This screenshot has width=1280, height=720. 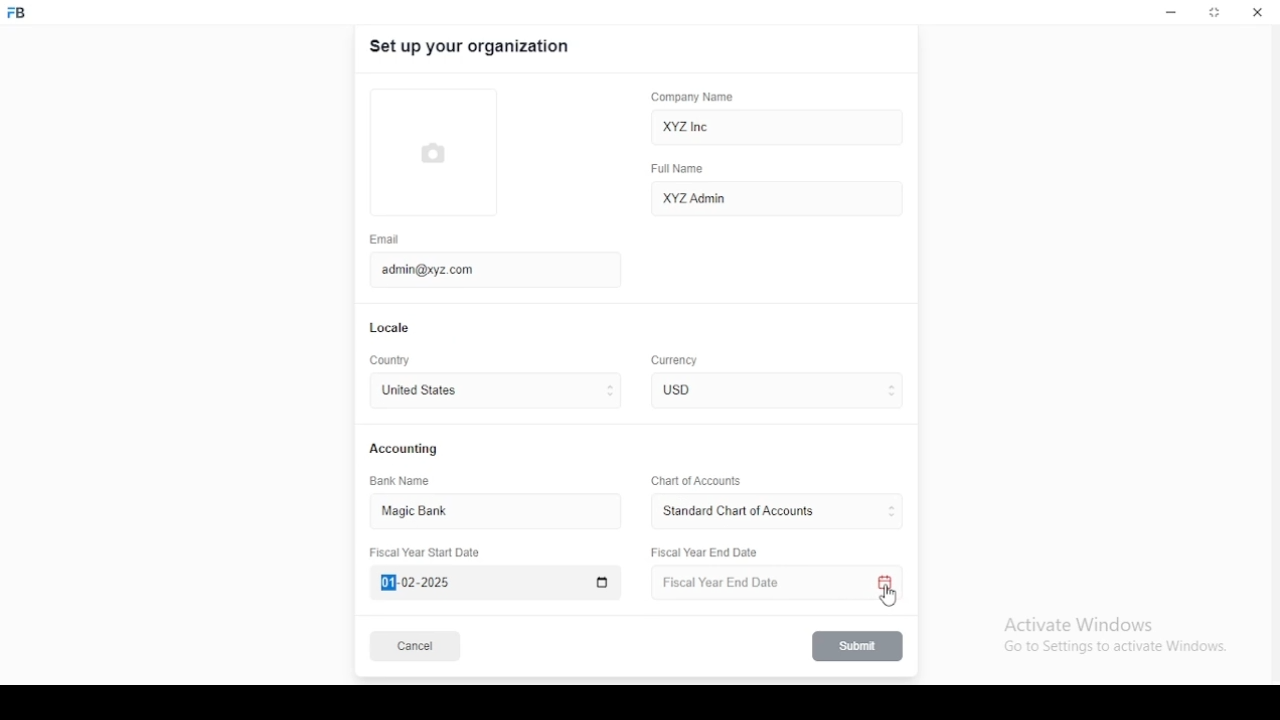 What do you see at coordinates (405, 448) in the screenshot?
I see `accounting` at bounding box center [405, 448].